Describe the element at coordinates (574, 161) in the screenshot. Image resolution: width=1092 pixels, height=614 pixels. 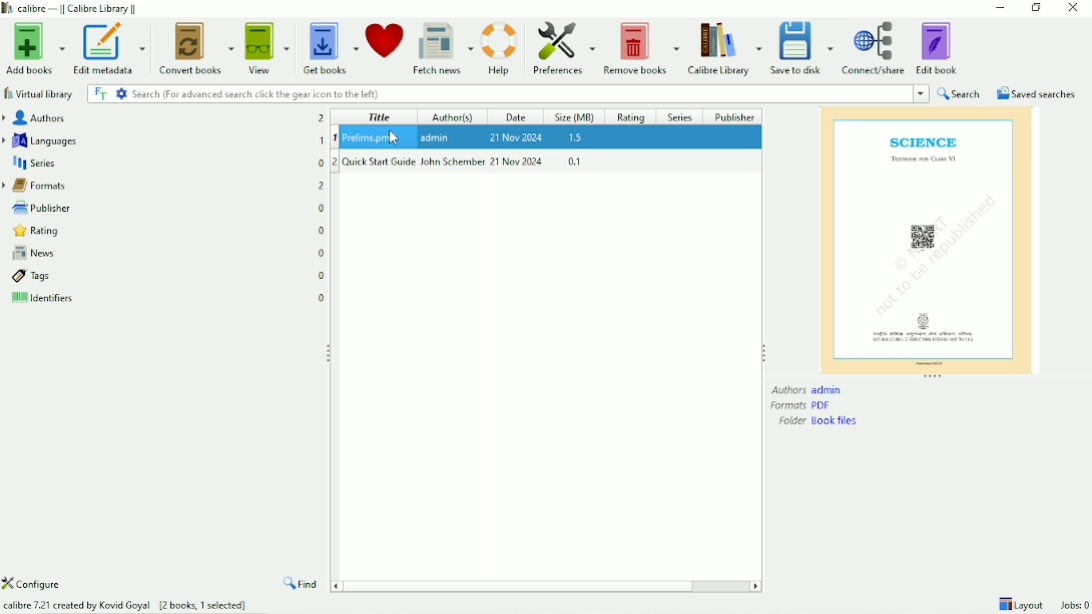
I see `0.1` at that location.